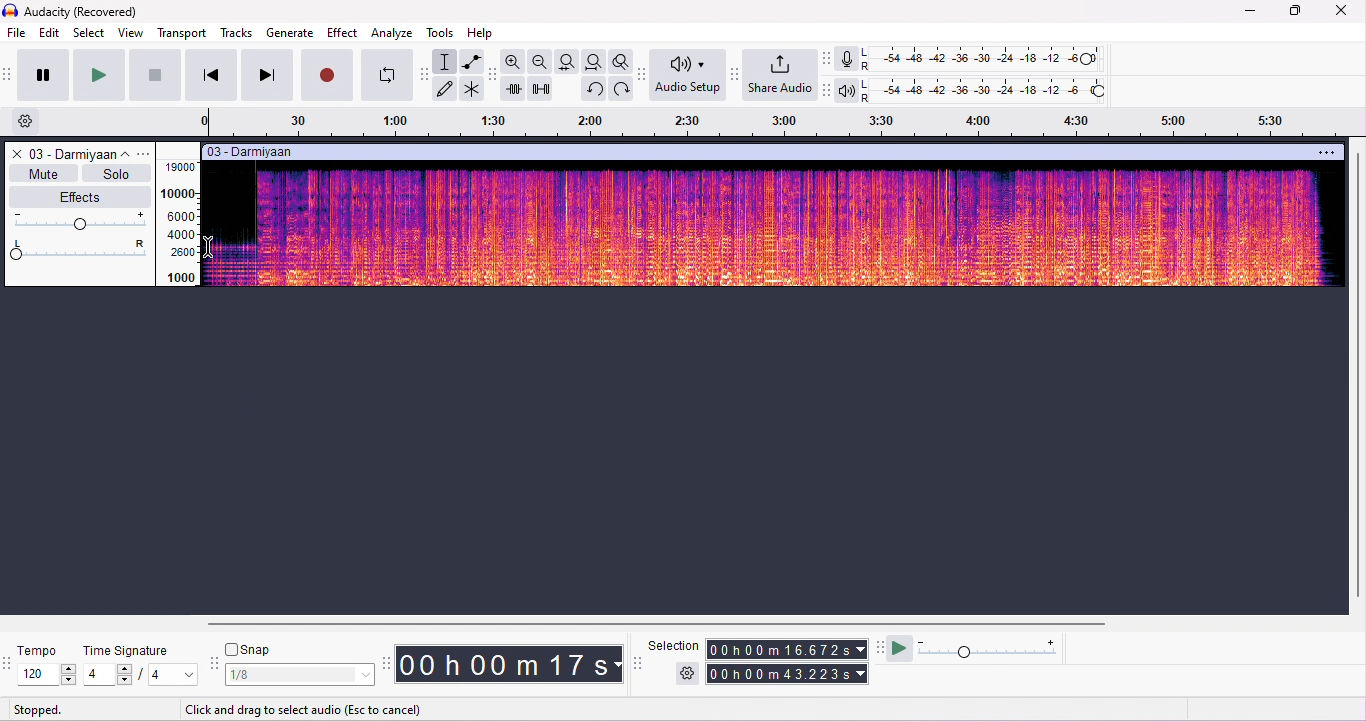 The height and width of the screenshot is (722, 1366). Describe the element at coordinates (789, 649) in the screenshot. I see `selection time` at that location.